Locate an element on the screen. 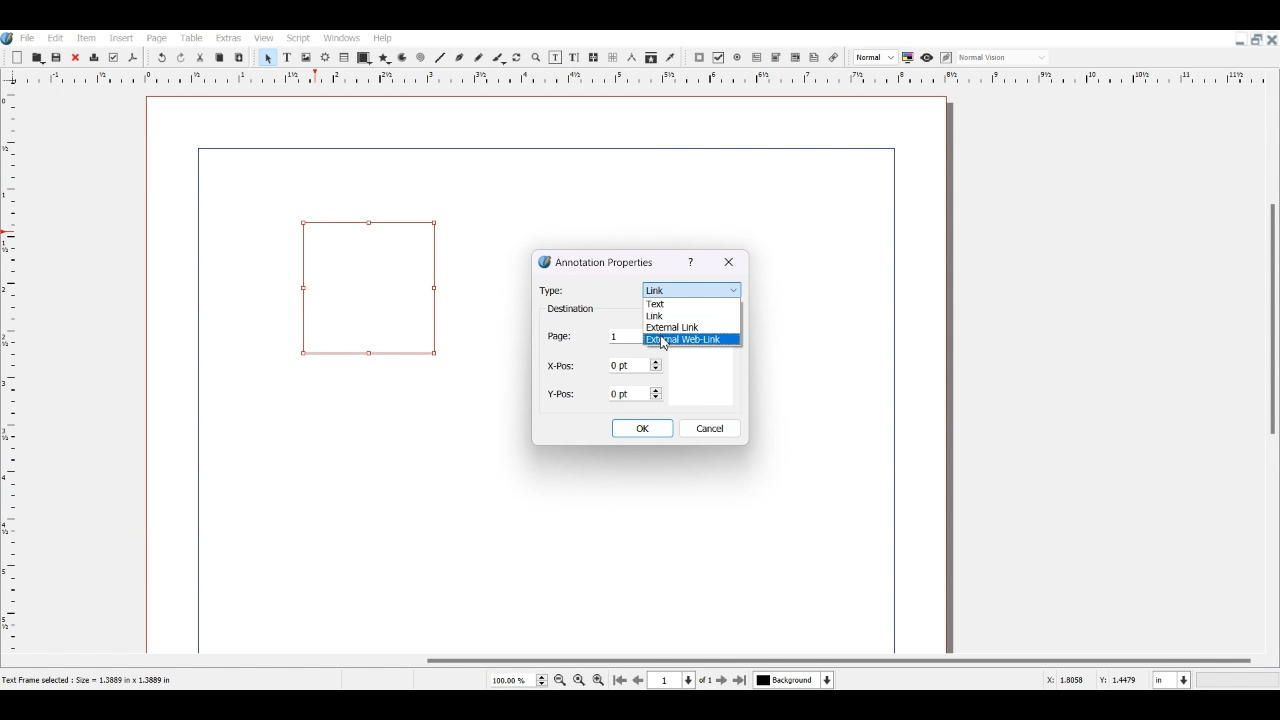  Image Frame is located at coordinates (306, 57).